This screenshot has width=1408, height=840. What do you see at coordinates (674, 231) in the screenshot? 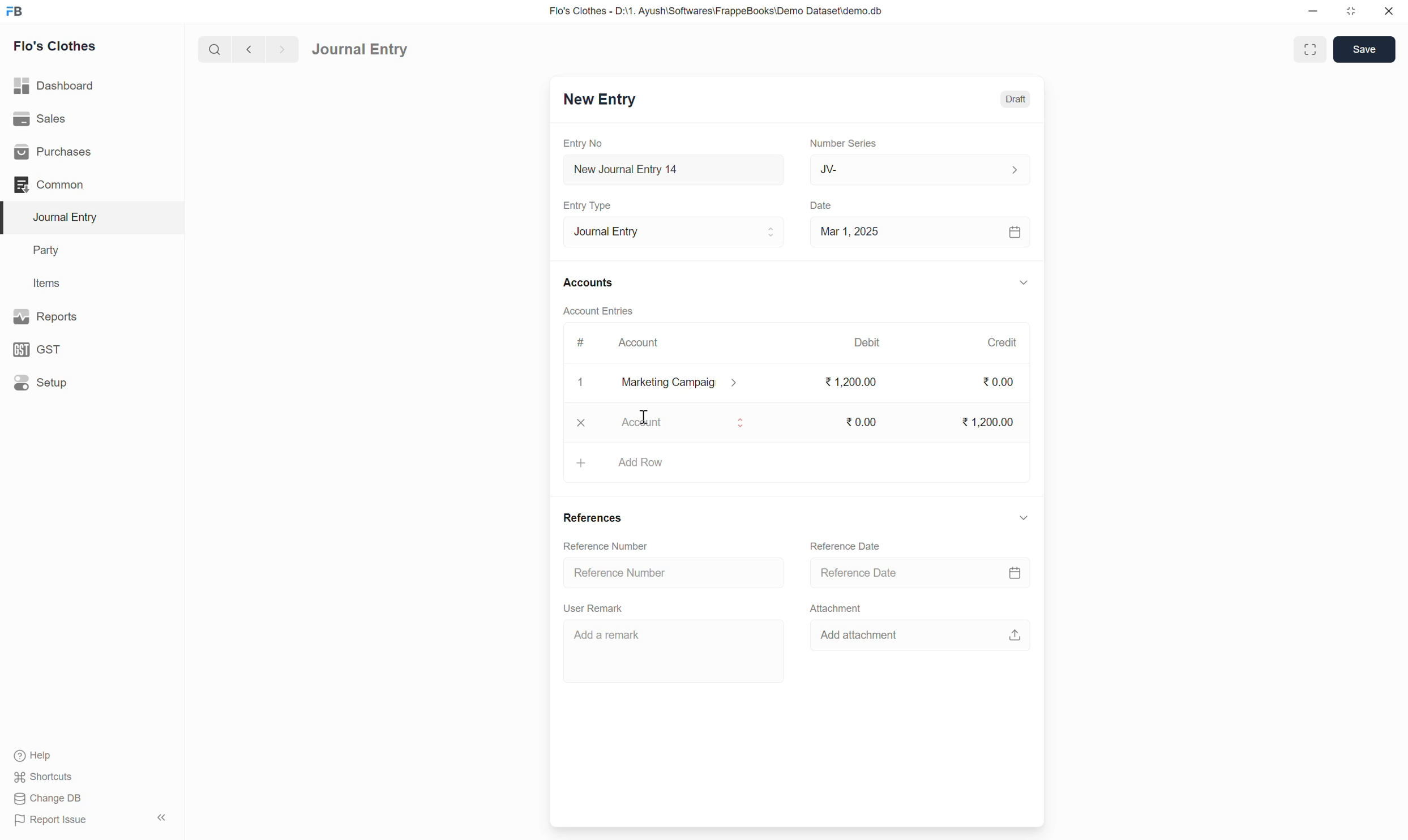
I see `Journal Entry` at bounding box center [674, 231].